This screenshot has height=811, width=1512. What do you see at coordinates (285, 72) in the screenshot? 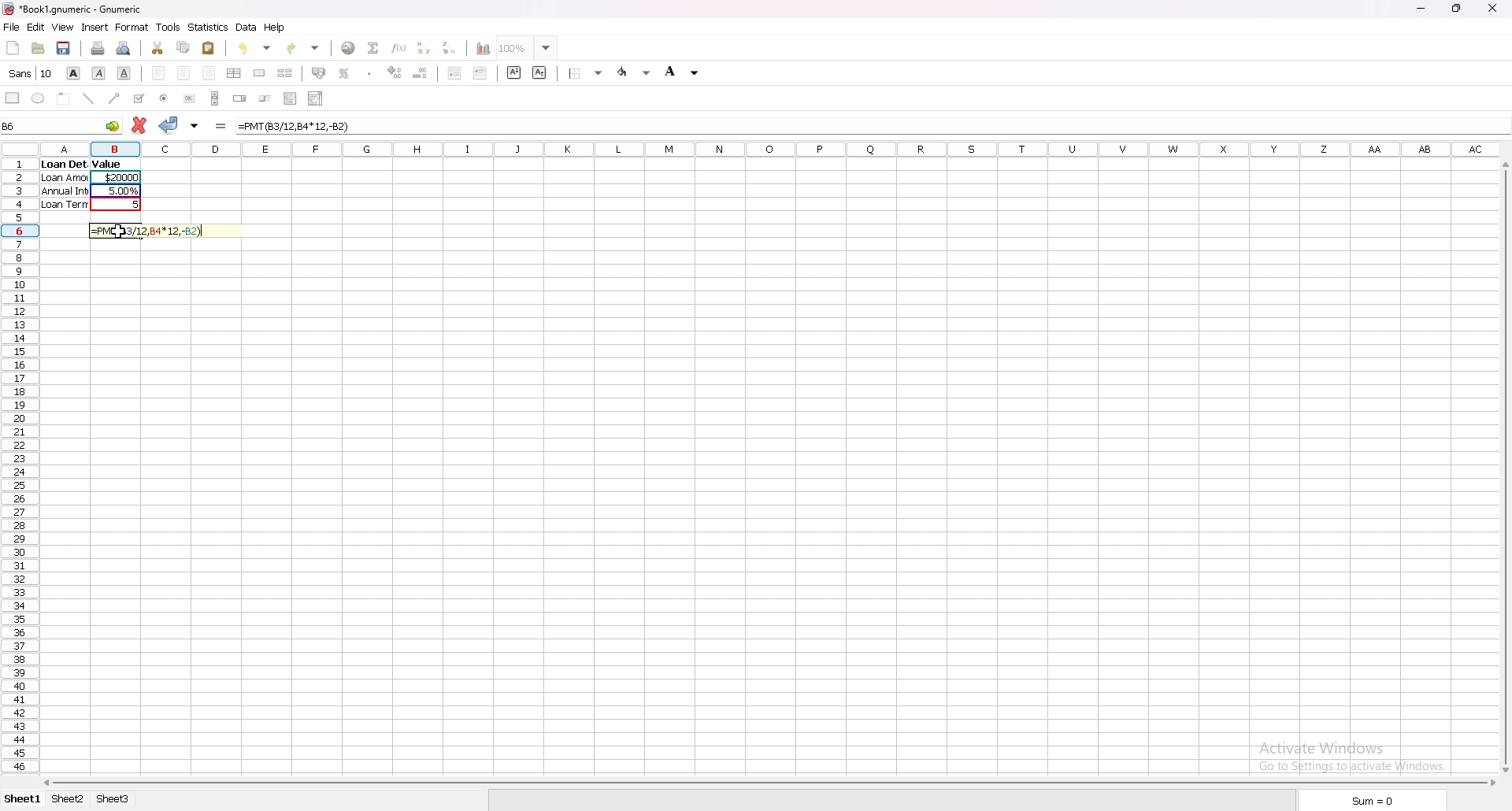
I see `split merged cells` at bounding box center [285, 72].